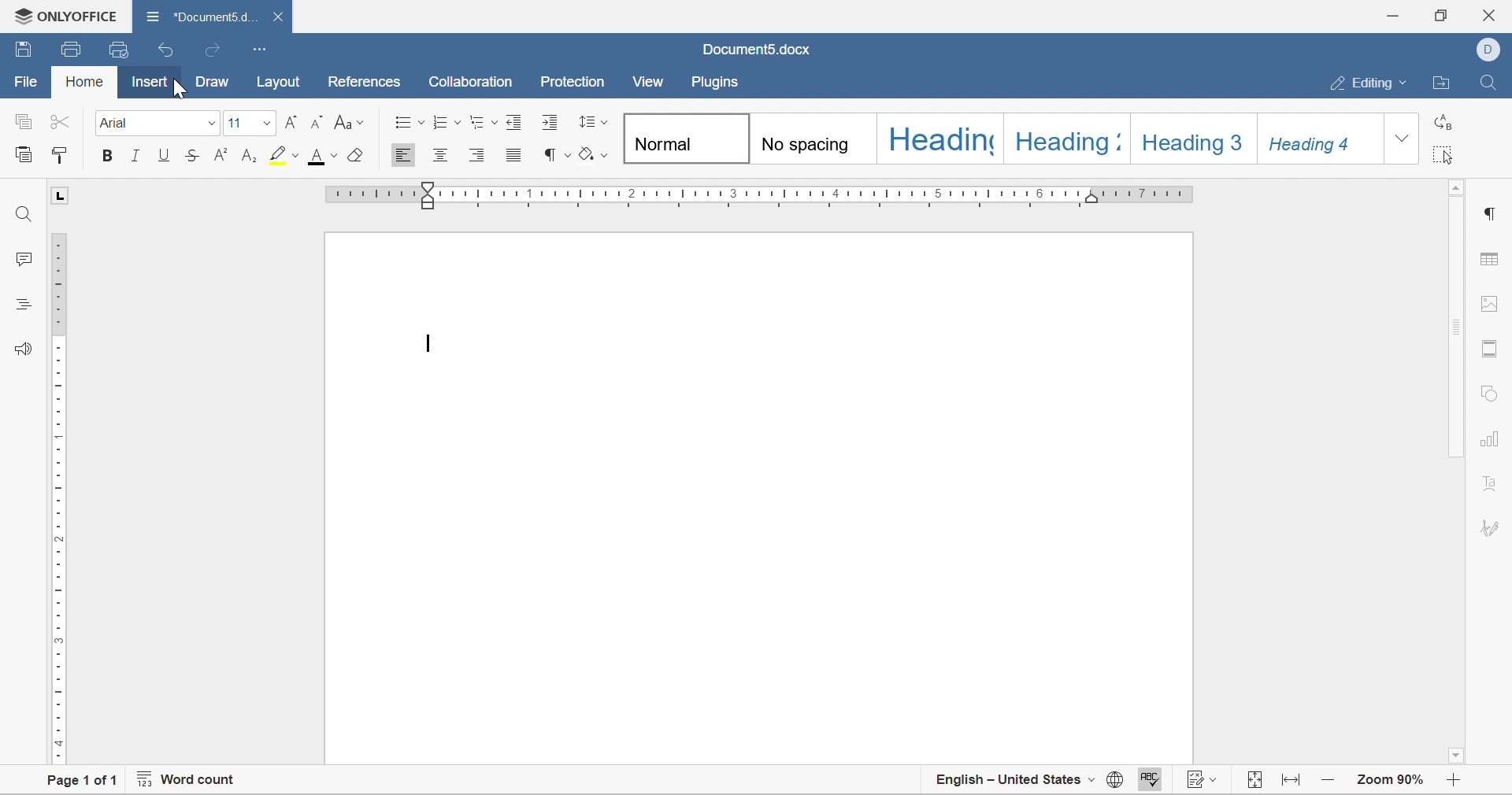 This screenshot has height=795, width=1512. I want to click on bold, so click(102, 156).